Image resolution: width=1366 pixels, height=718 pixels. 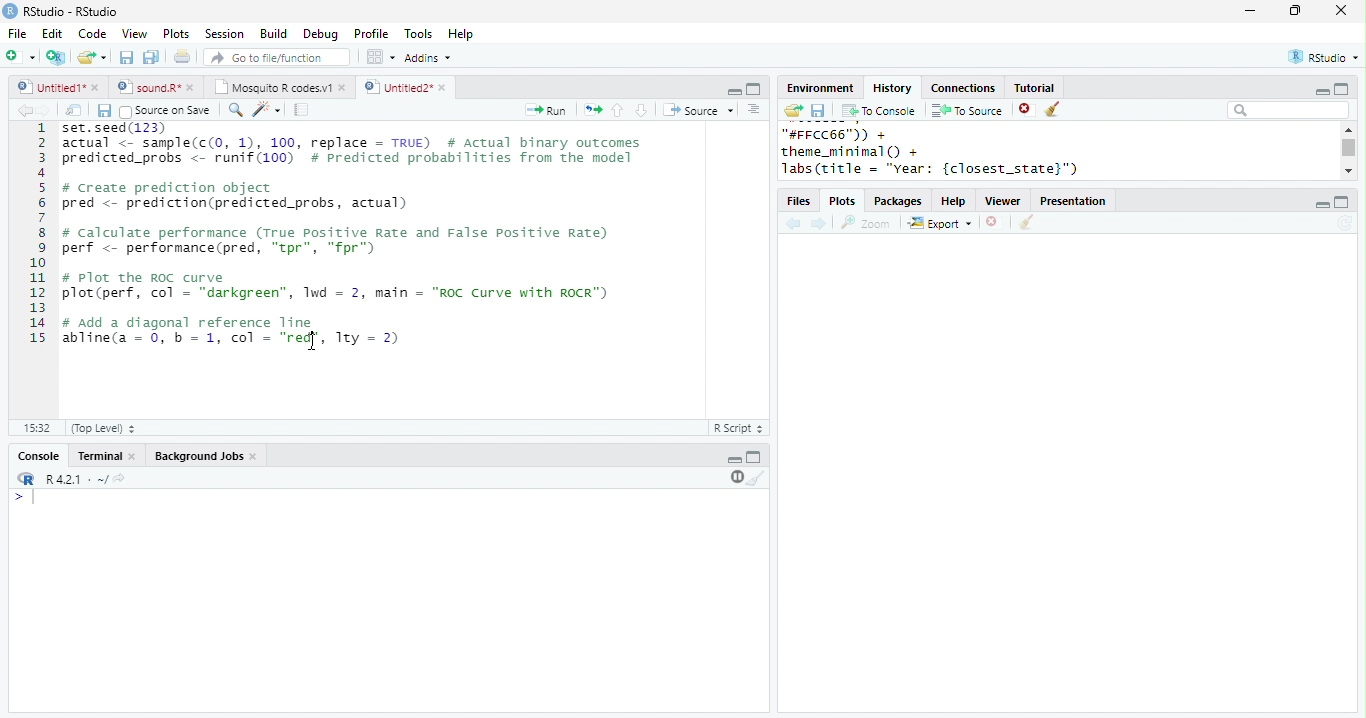 I want to click on search bar, so click(x=1288, y=109).